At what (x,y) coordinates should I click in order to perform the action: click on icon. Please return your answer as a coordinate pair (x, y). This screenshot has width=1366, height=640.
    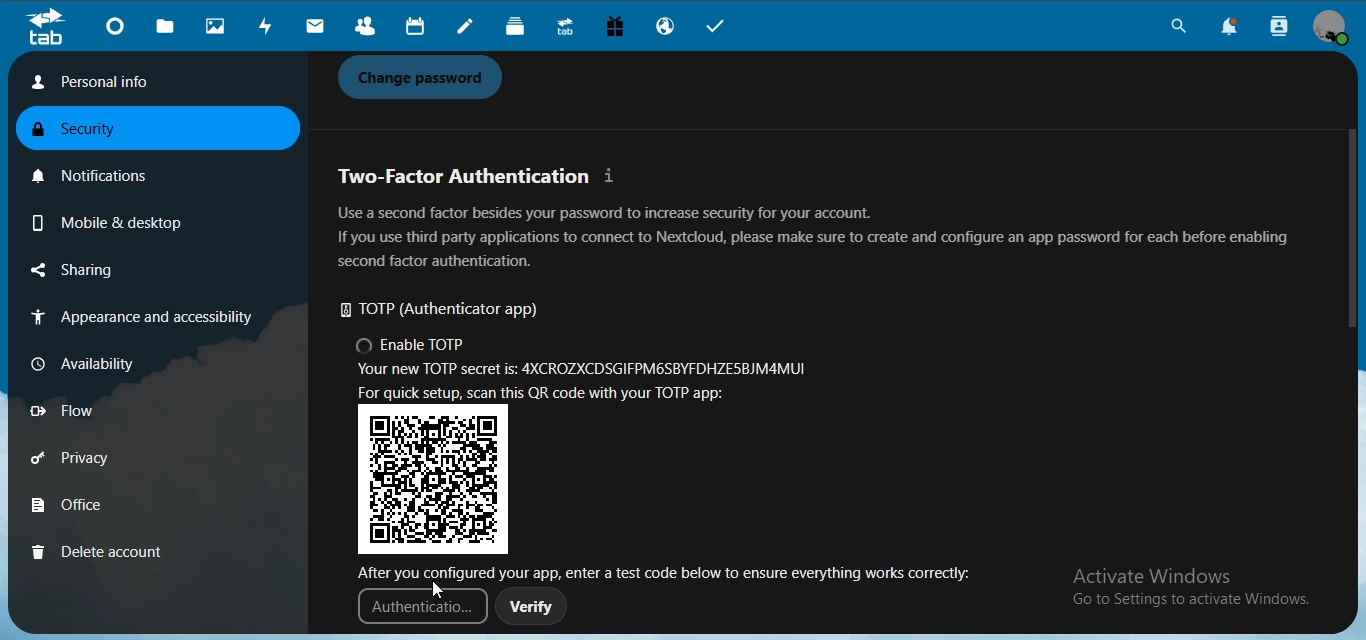
    Looking at the image, I should click on (45, 27).